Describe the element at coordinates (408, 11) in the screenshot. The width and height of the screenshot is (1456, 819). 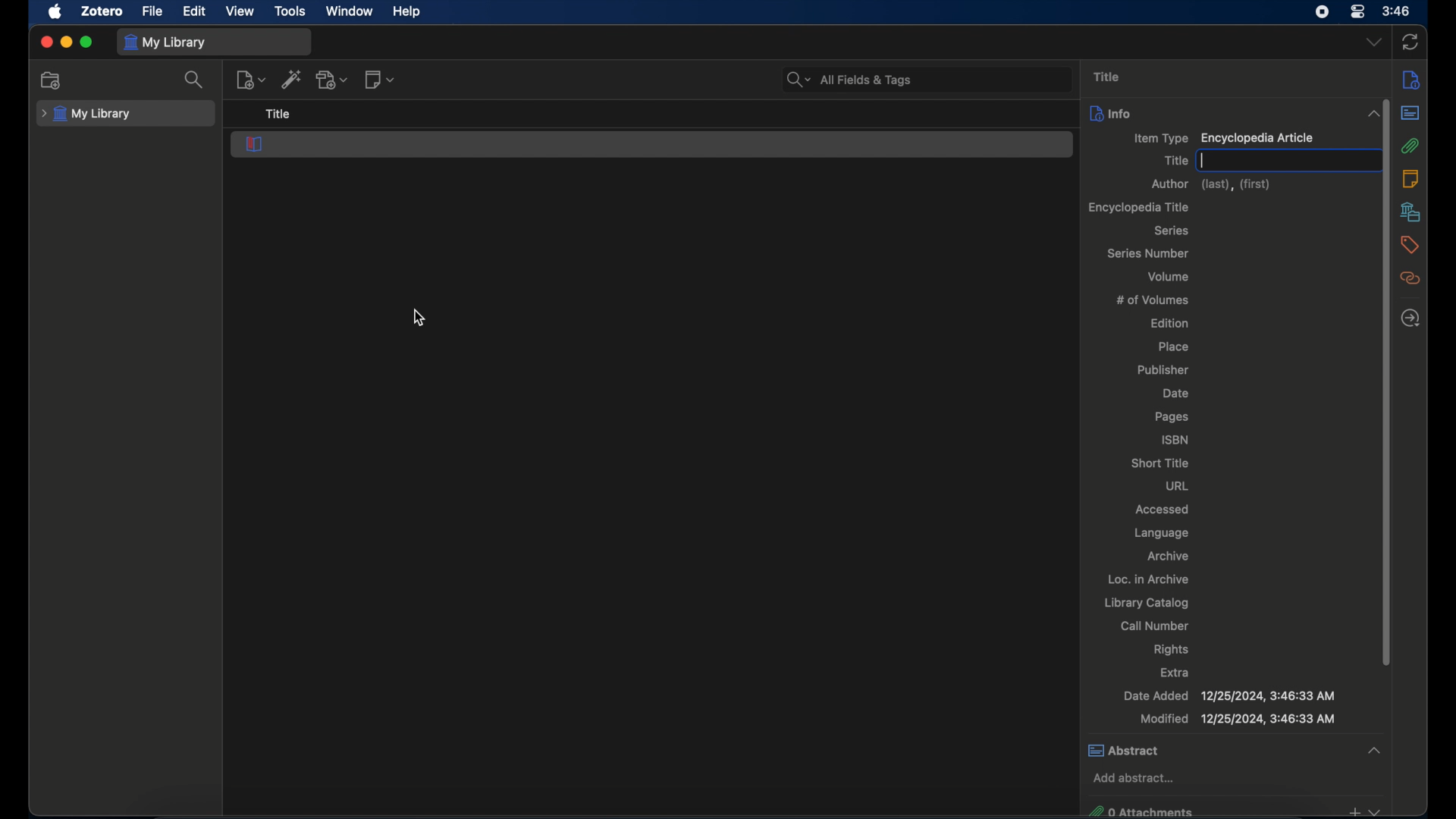
I see `help` at that location.